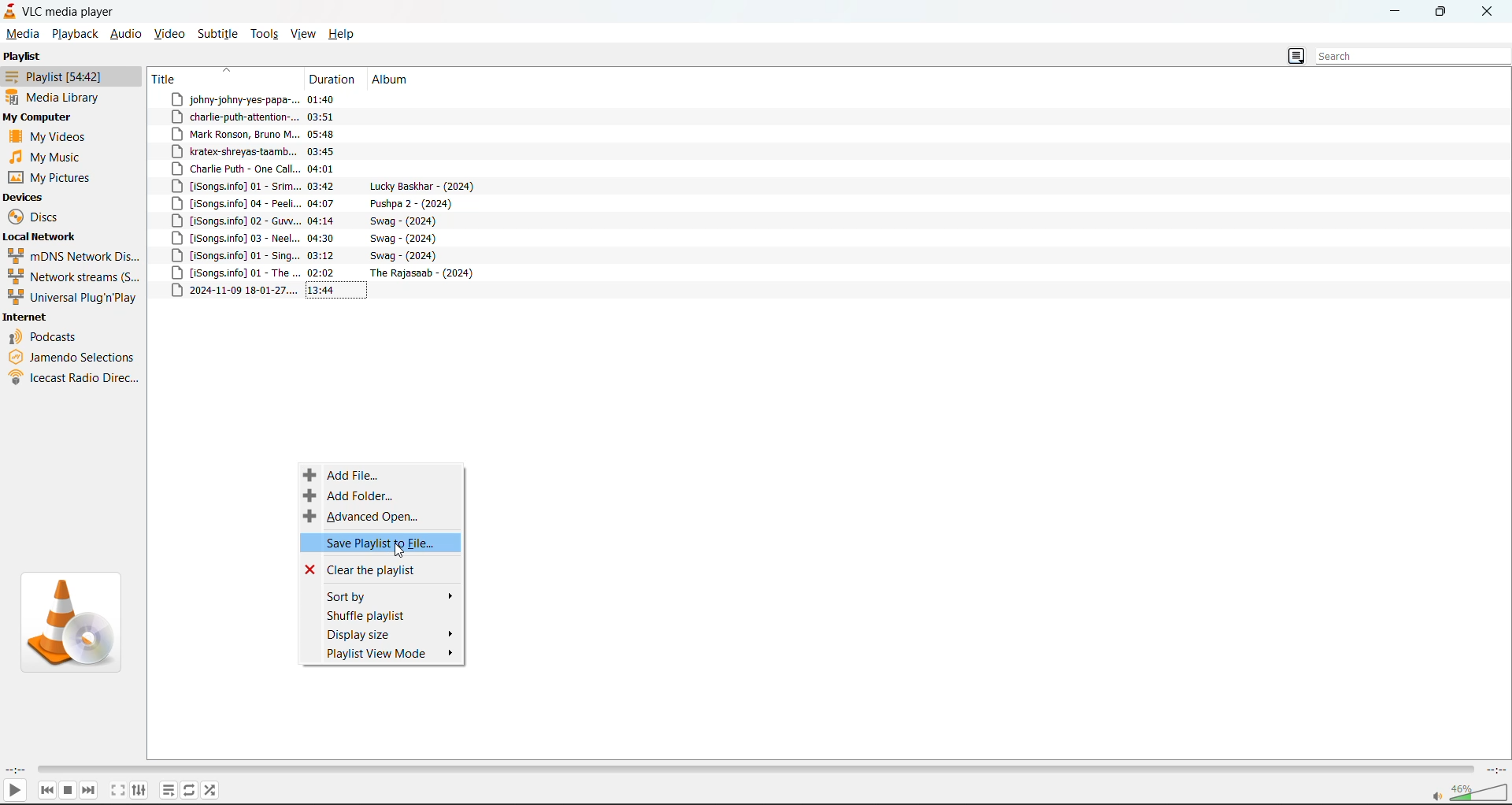 The width and height of the screenshot is (1512, 805). I want to click on my computer, so click(41, 117).